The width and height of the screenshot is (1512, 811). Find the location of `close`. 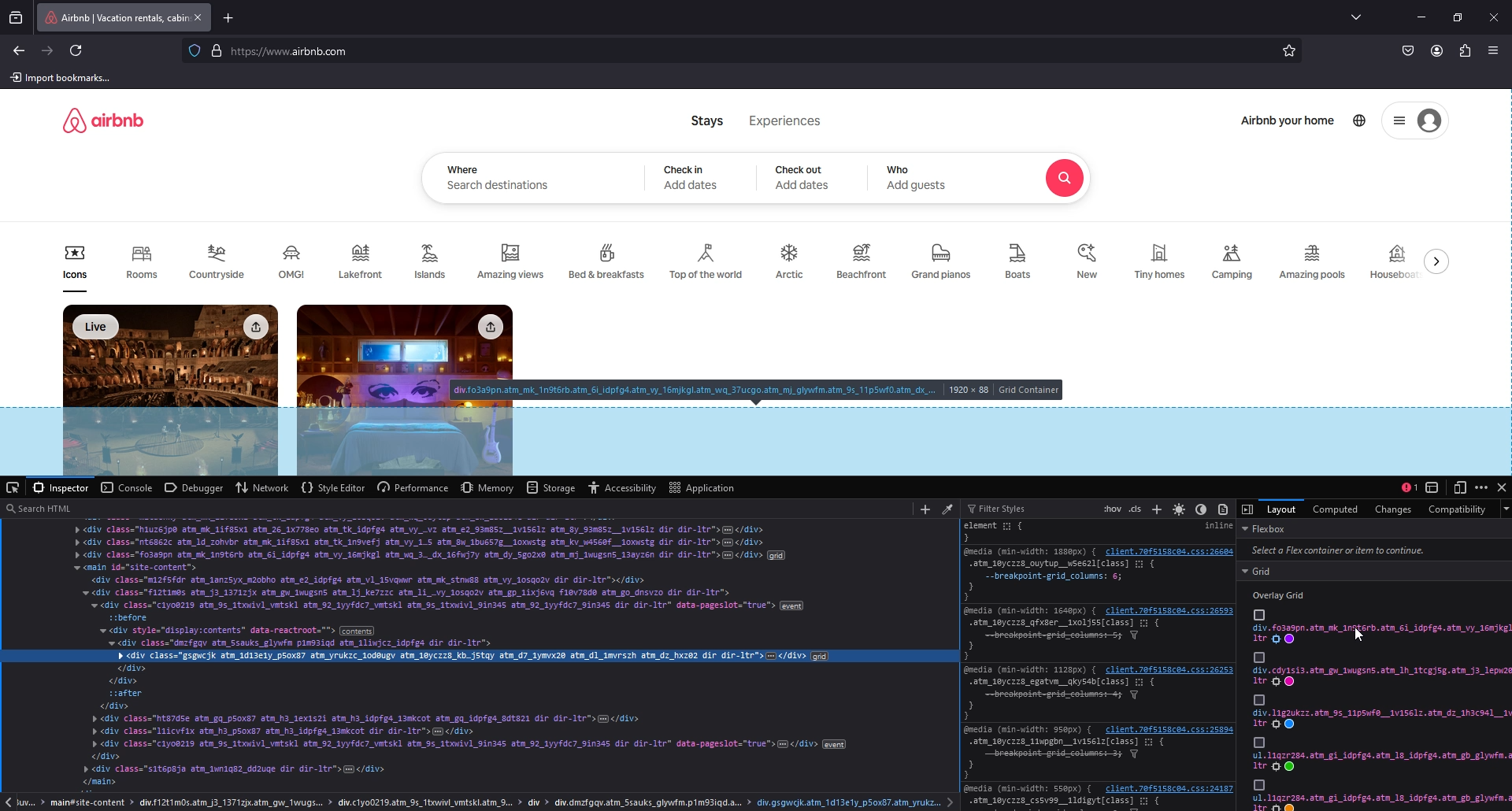

close is located at coordinates (1503, 486).